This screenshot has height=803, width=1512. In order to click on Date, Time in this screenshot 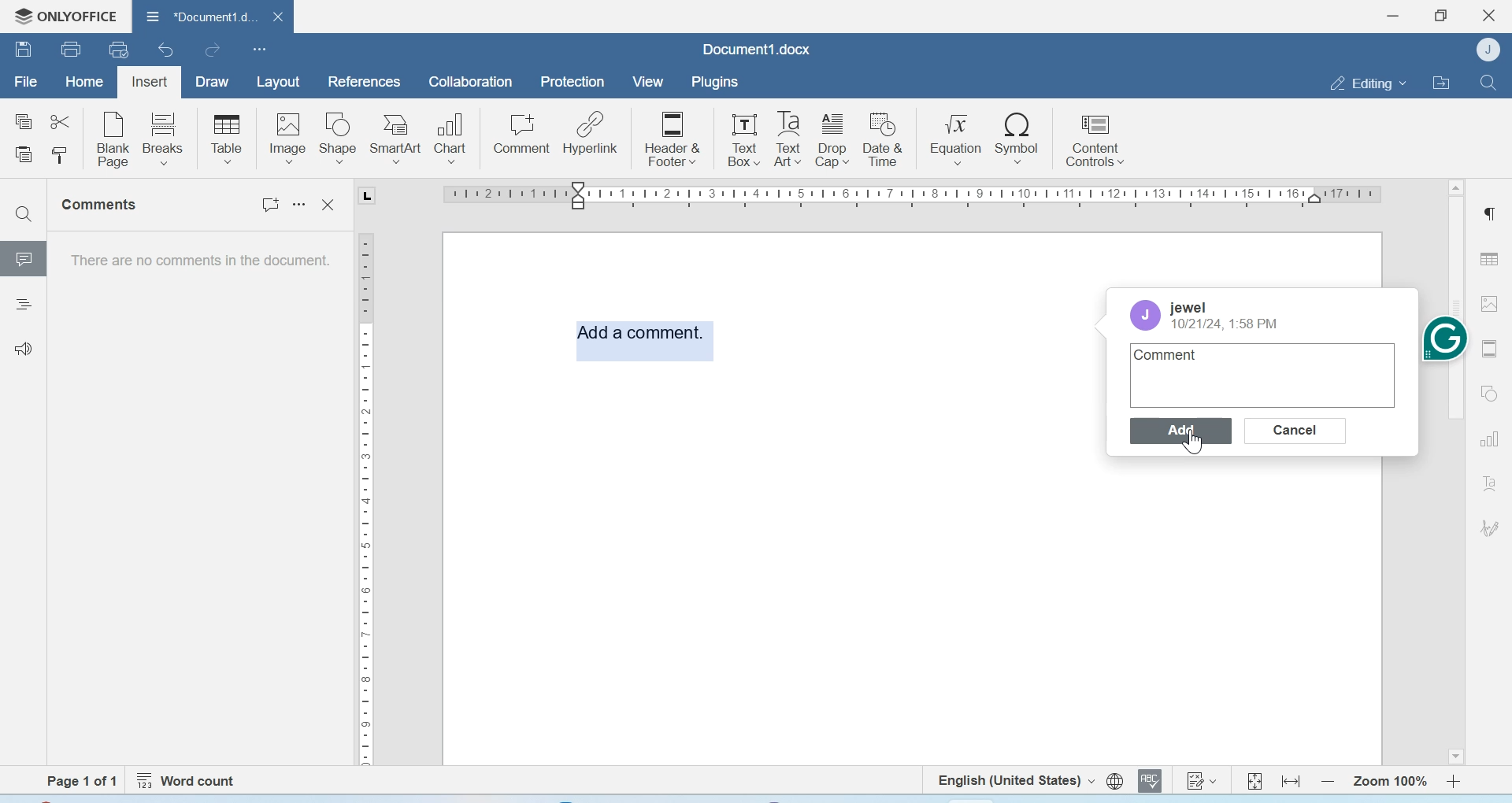, I will do `click(1226, 324)`.